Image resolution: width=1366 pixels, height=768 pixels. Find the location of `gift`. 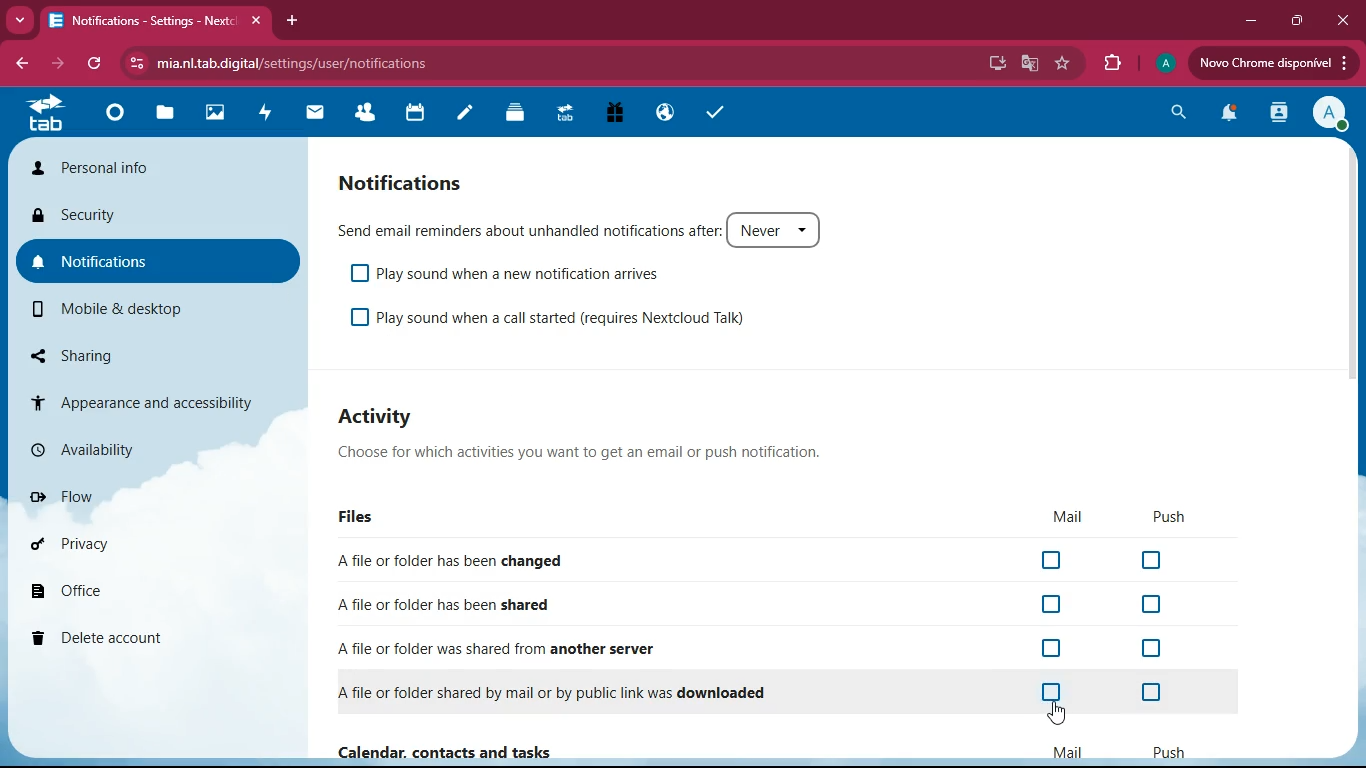

gift is located at coordinates (612, 115).